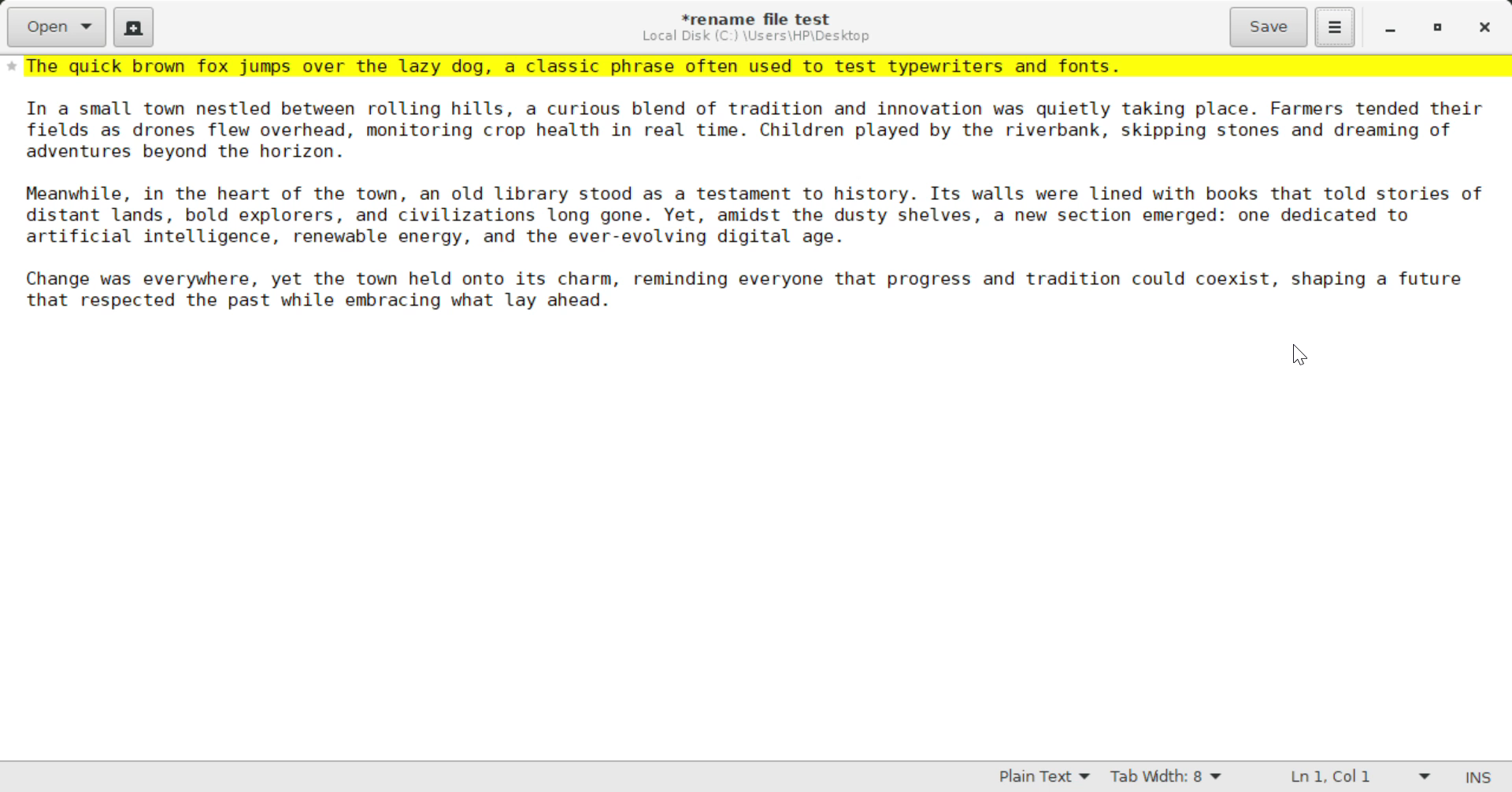 Image resolution: width=1512 pixels, height=792 pixels. I want to click on Line & Character Count, so click(1354, 775).